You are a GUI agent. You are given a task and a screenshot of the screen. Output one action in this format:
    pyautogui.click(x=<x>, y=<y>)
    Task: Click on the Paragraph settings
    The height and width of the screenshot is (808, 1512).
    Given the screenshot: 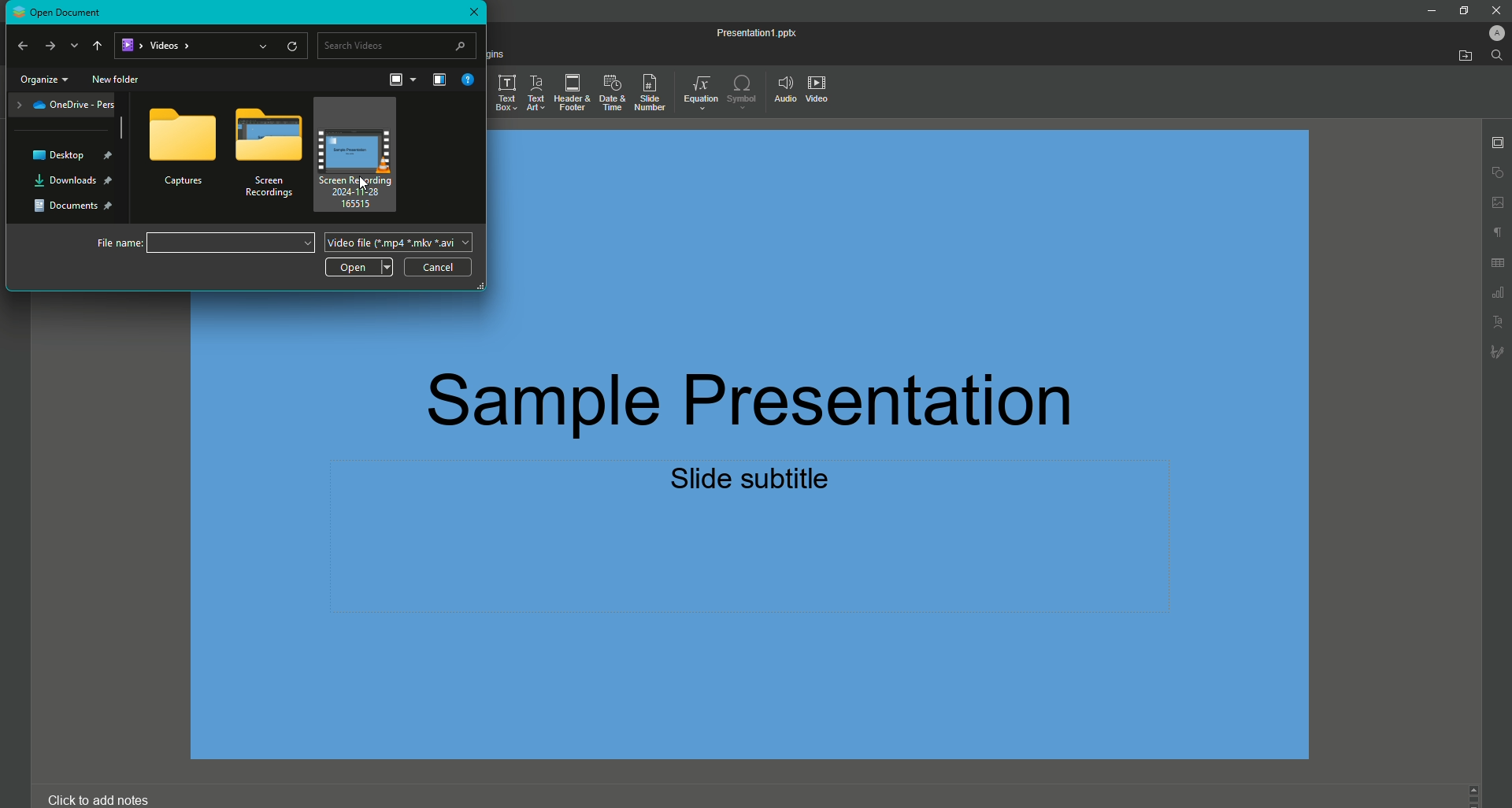 What is the action you would take?
    pyautogui.click(x=1494, y=231)
    